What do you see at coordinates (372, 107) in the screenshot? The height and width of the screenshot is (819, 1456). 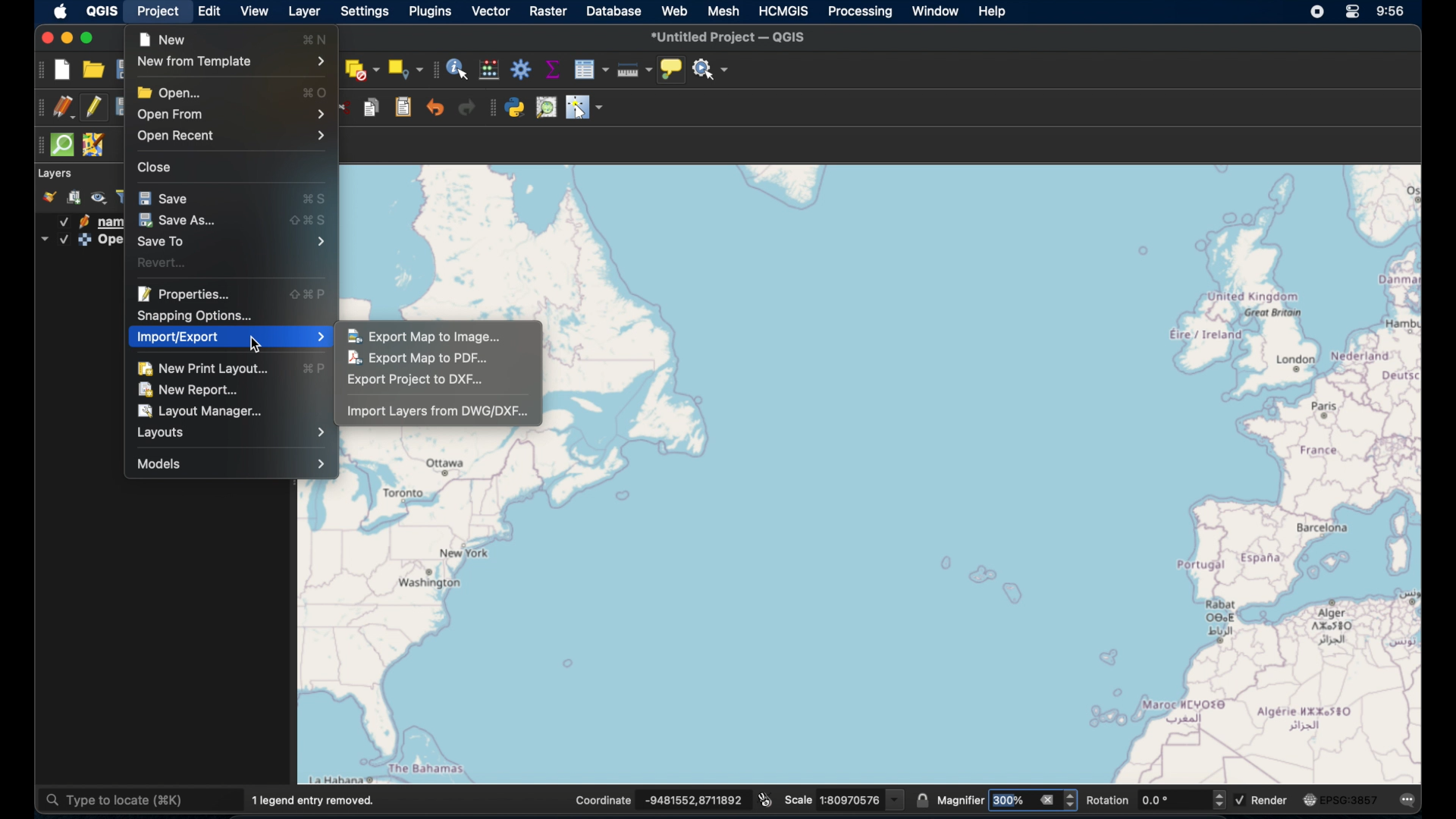 I see `copy features` at bounding box center [372, 107].